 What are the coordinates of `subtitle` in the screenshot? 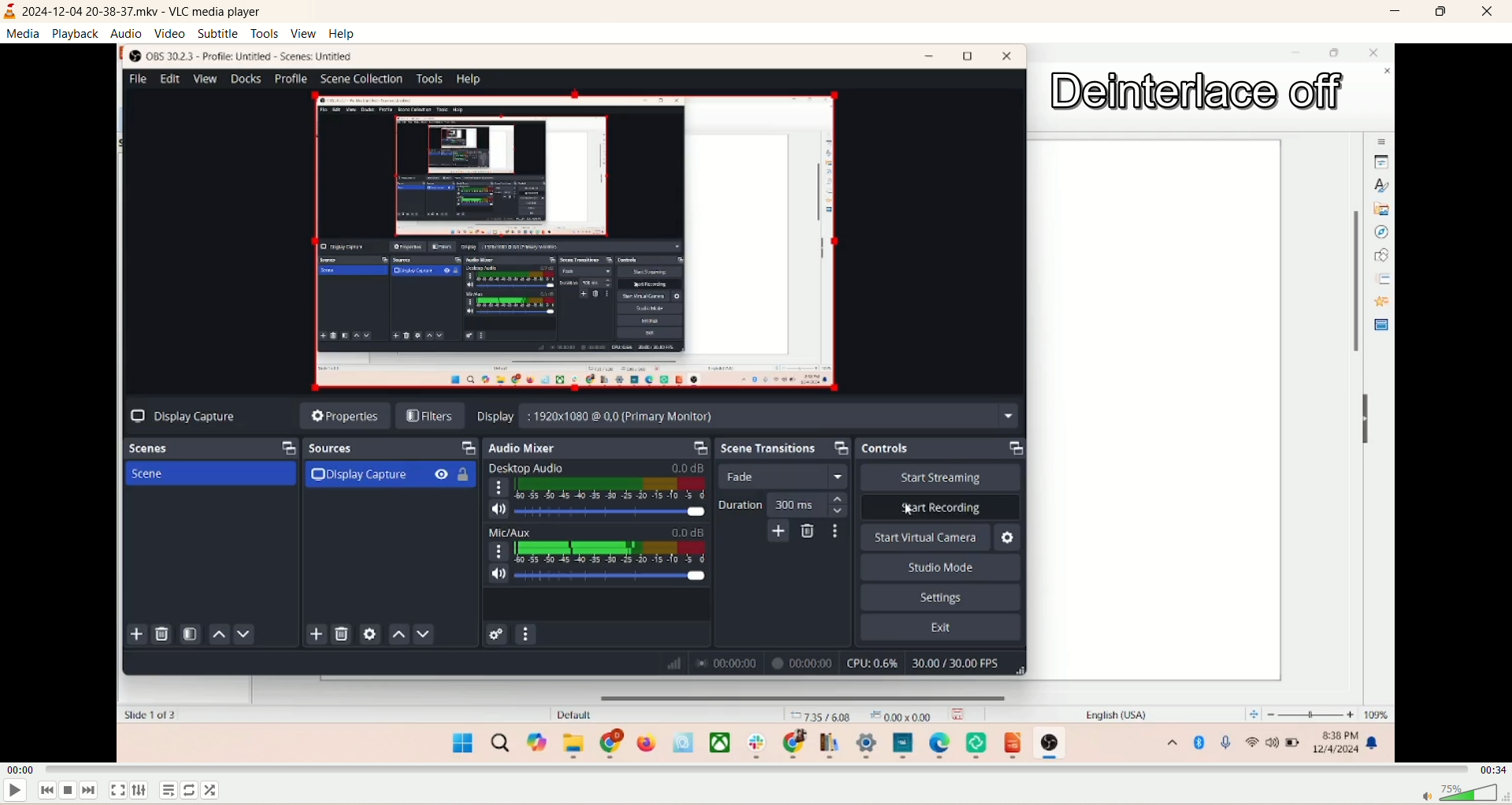 It's located at (218, 34).